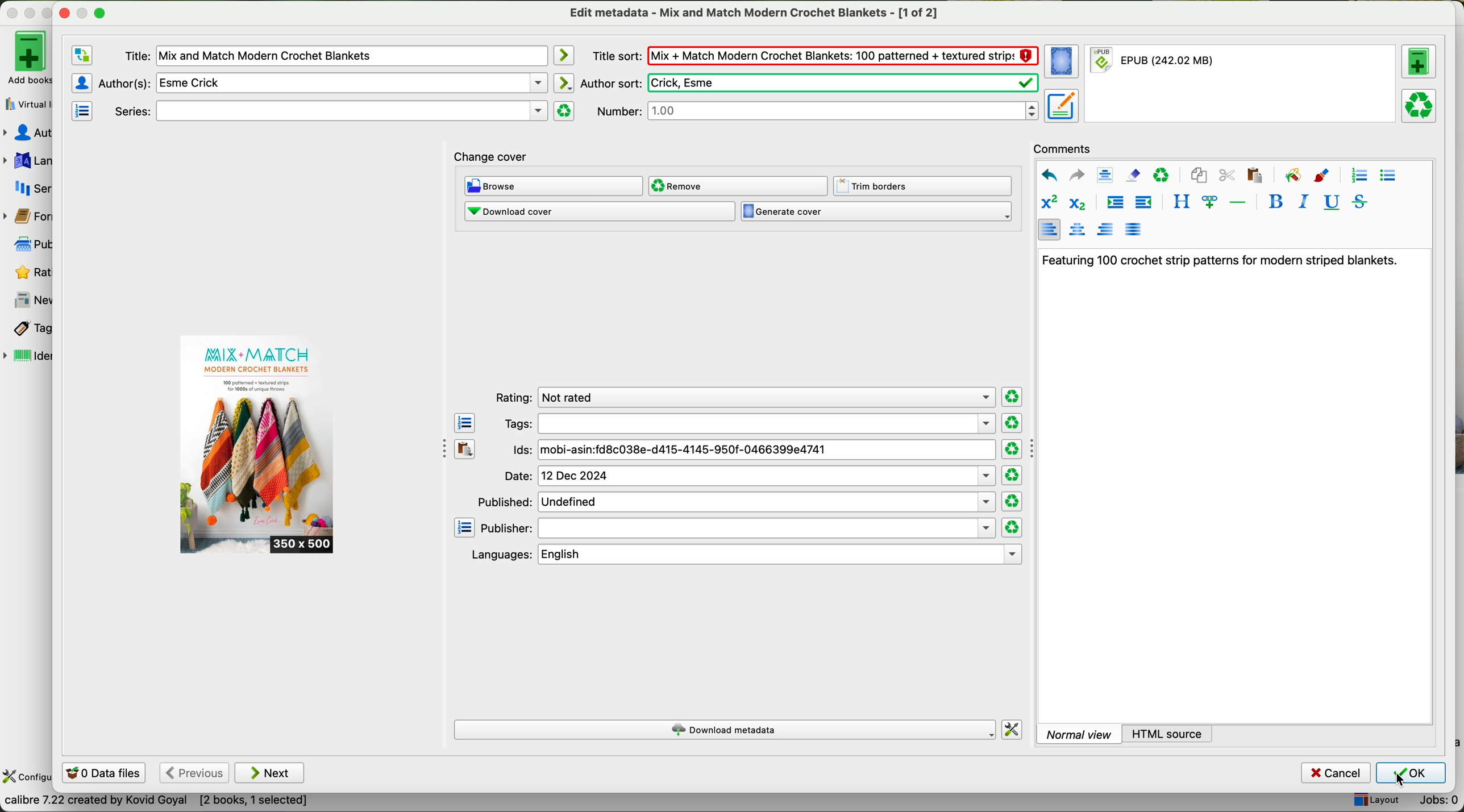 The image size is (1464, 812). I want to click on languages, so click(27, 161).